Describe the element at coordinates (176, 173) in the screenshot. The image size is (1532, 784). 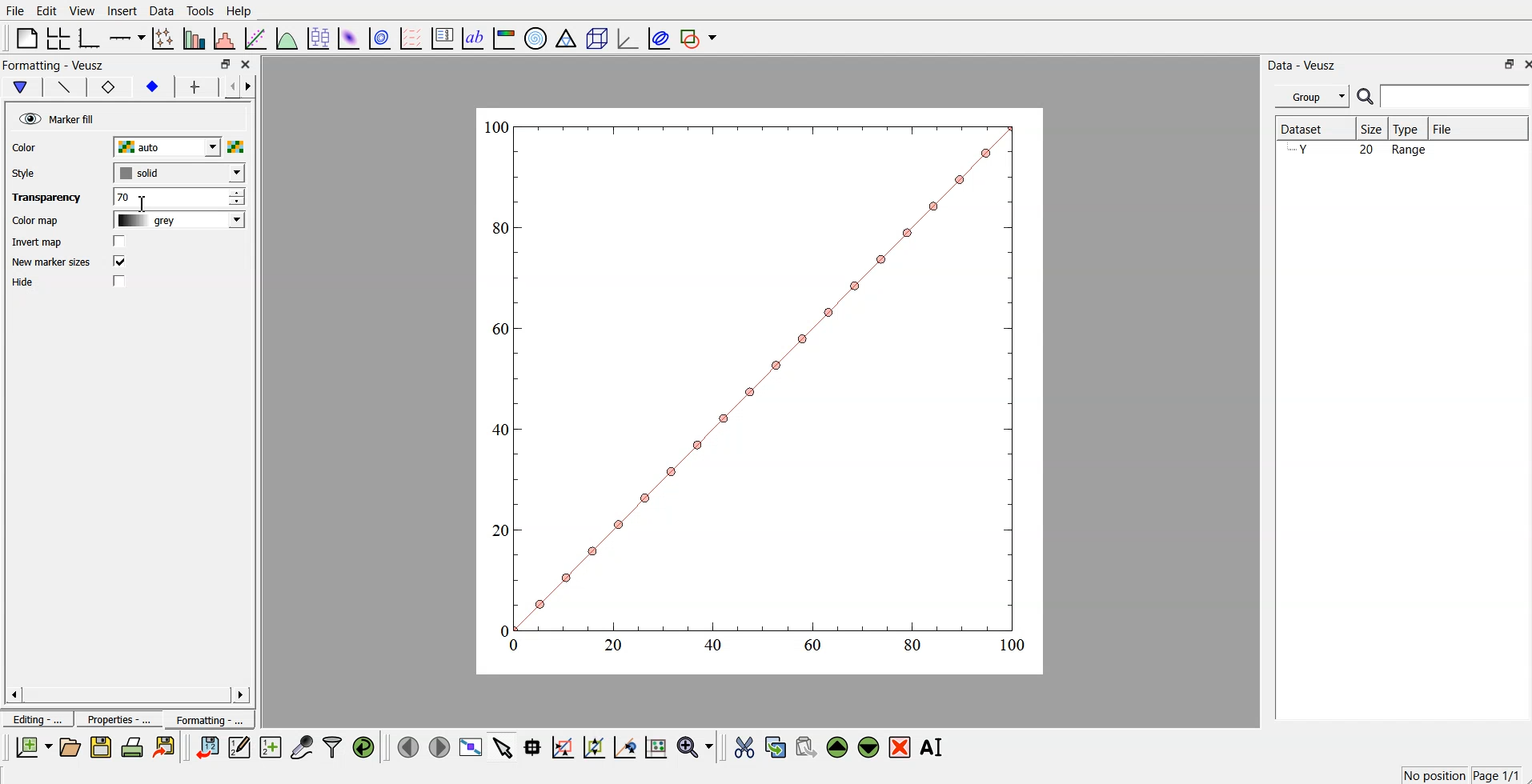
I see `solid` at that location.